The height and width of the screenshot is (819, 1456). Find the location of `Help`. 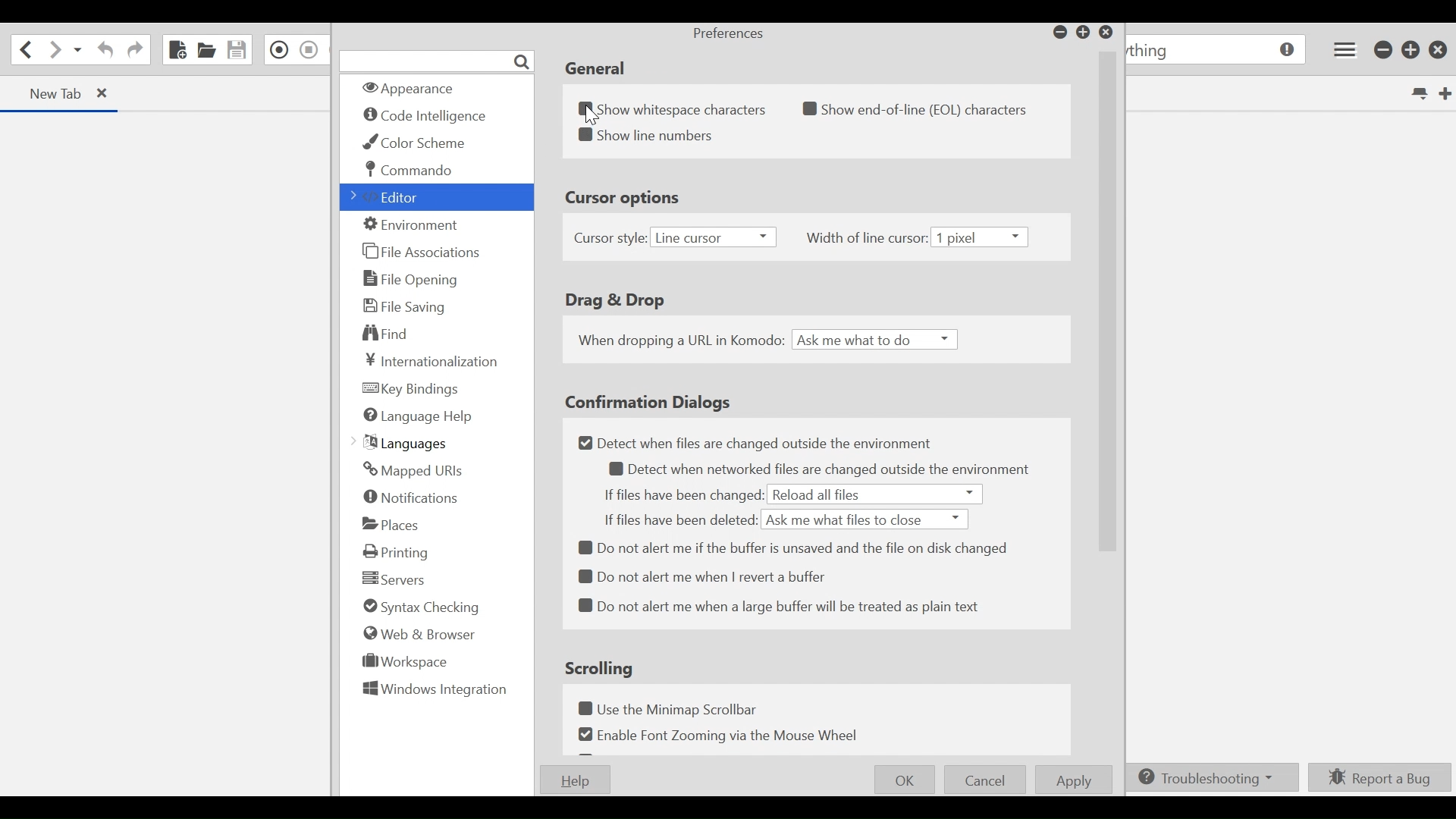

Help is located at coordinates (573, 779).